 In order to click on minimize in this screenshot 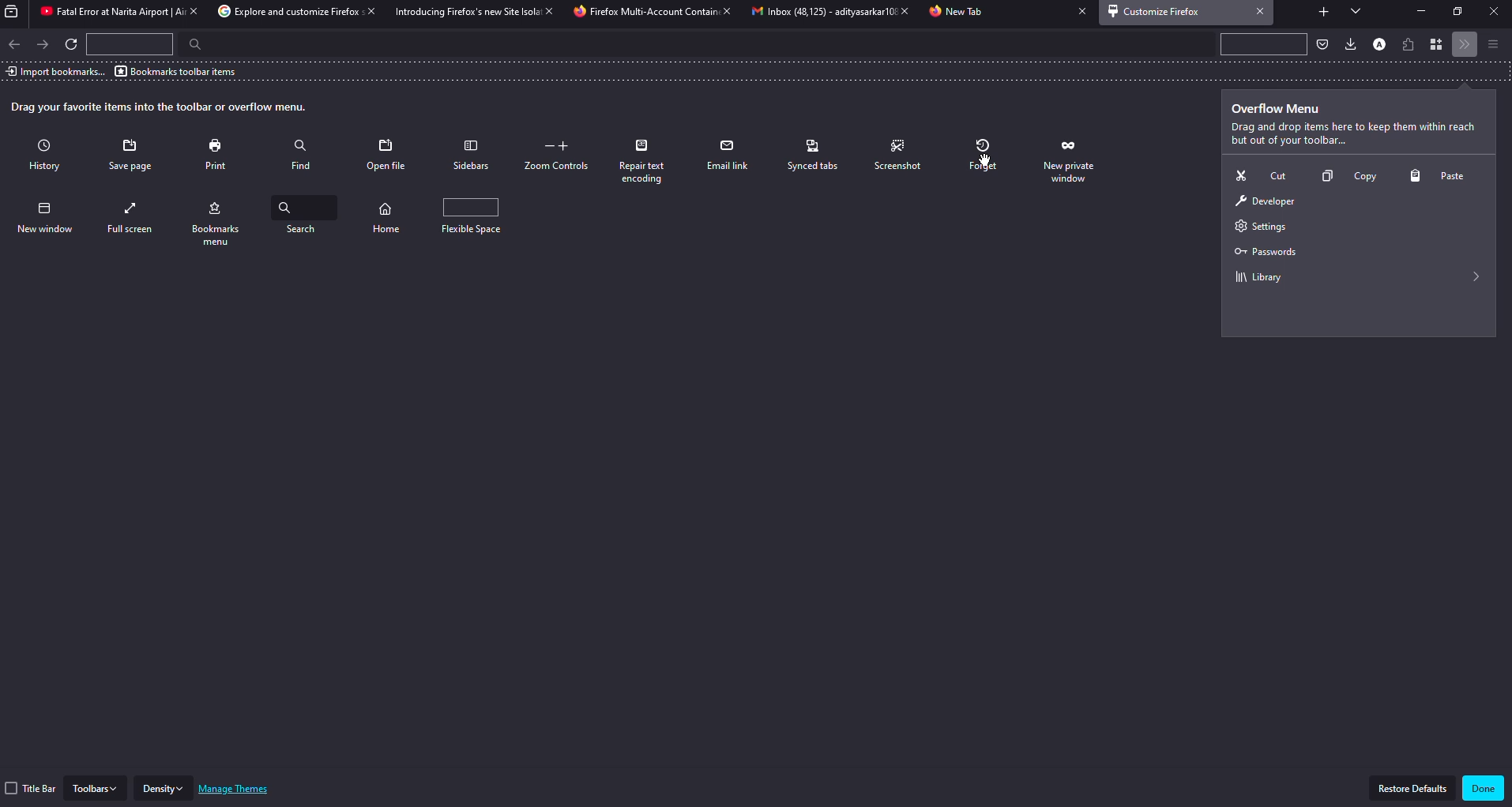, I will do `click(1416, 11)`.